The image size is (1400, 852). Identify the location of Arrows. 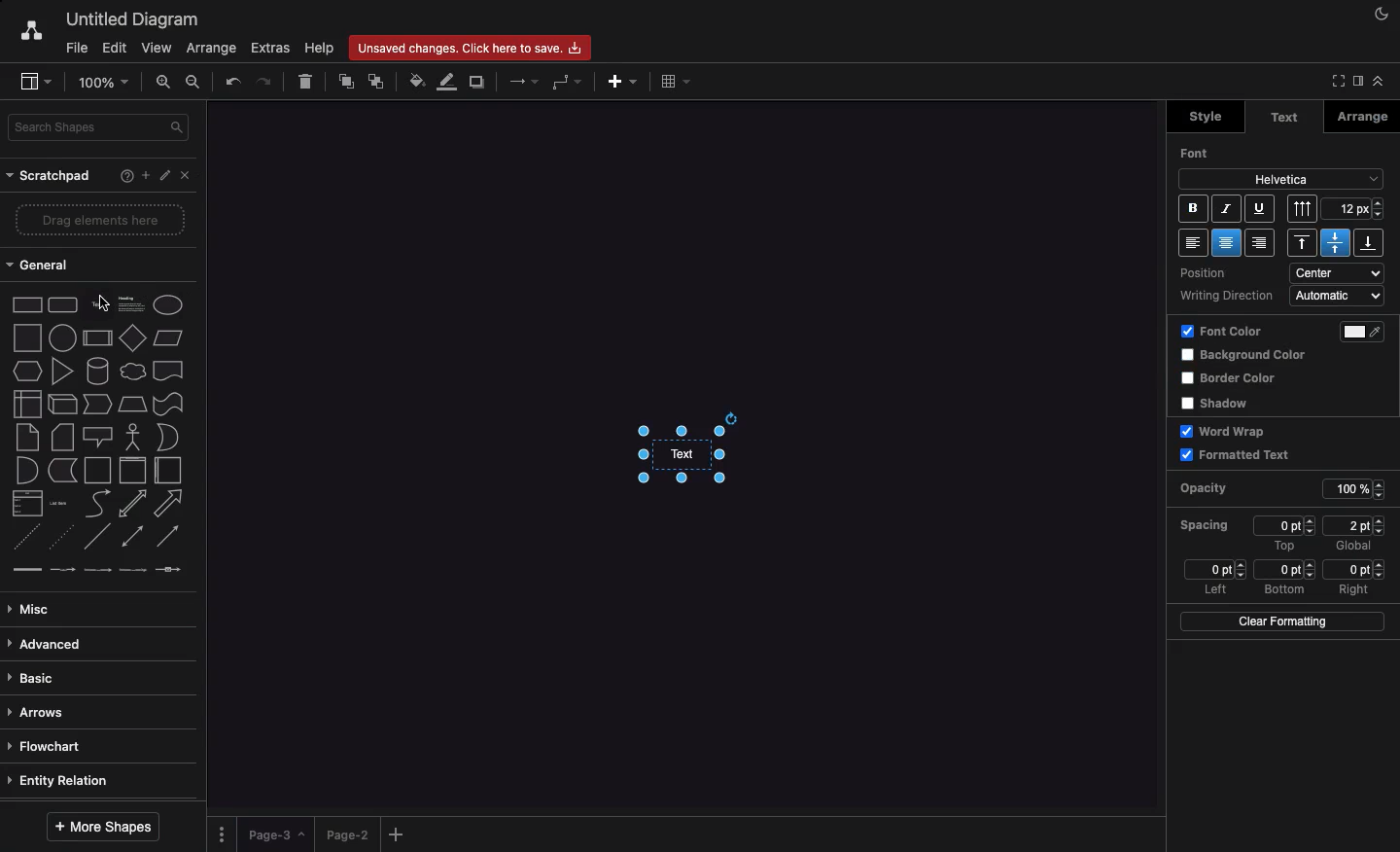
(40, 714).